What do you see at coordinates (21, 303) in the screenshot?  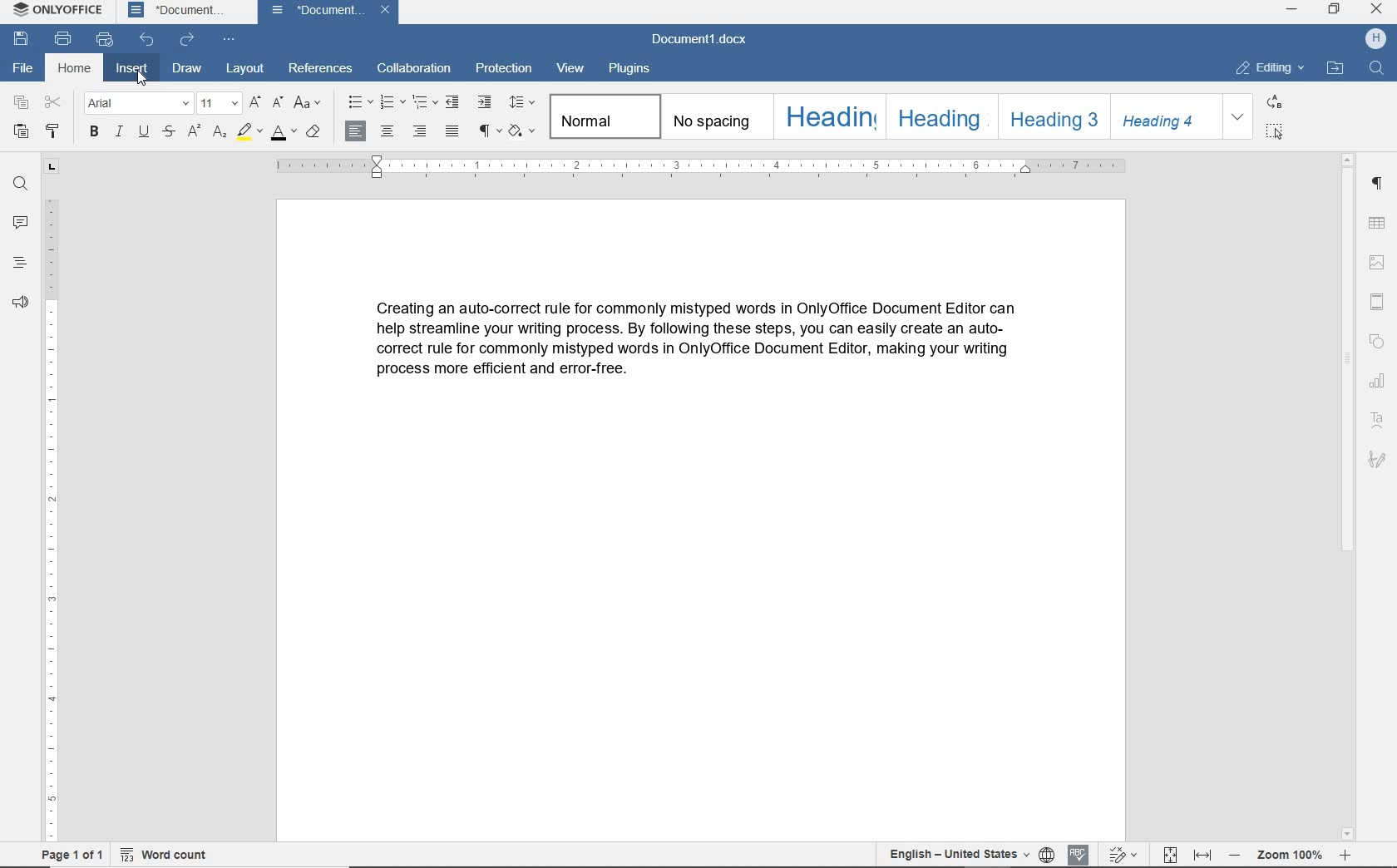 I see `feedback & support` at bounding box center [21, 303].